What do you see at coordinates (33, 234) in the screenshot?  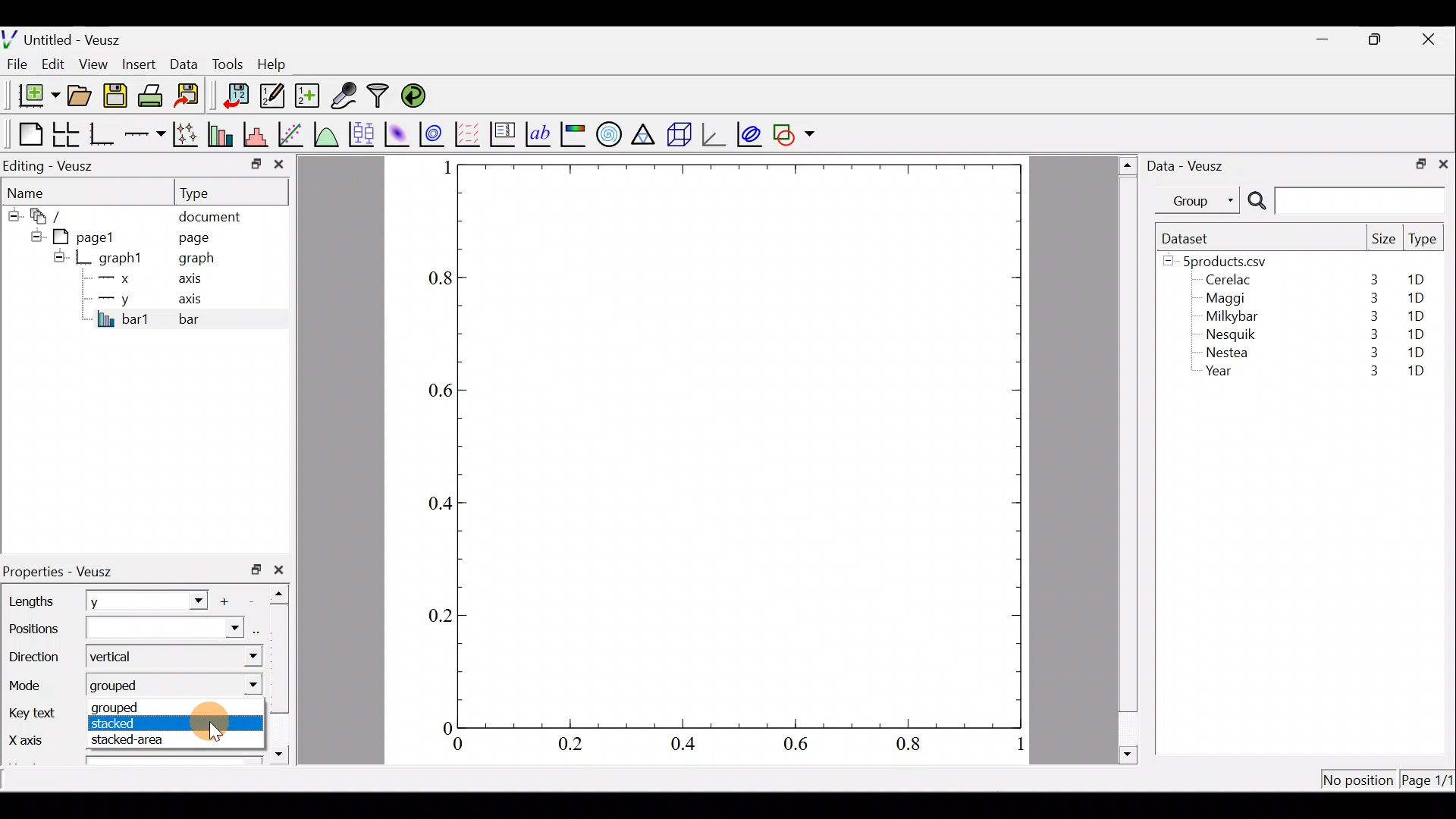 I see `hide` at bounding box center [33, 234].